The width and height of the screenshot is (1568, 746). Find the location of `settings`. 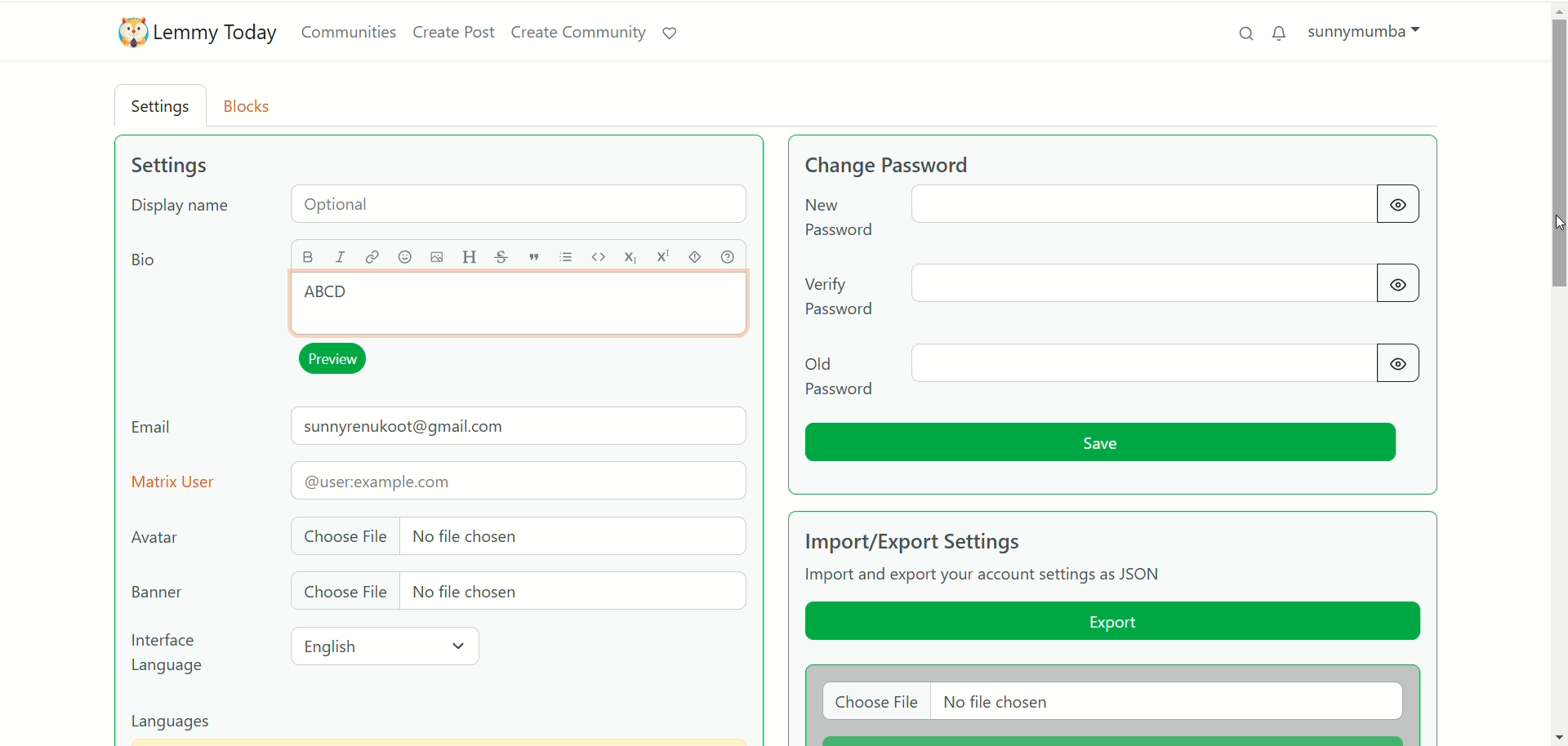

settings is located at coordinates (168, 166).